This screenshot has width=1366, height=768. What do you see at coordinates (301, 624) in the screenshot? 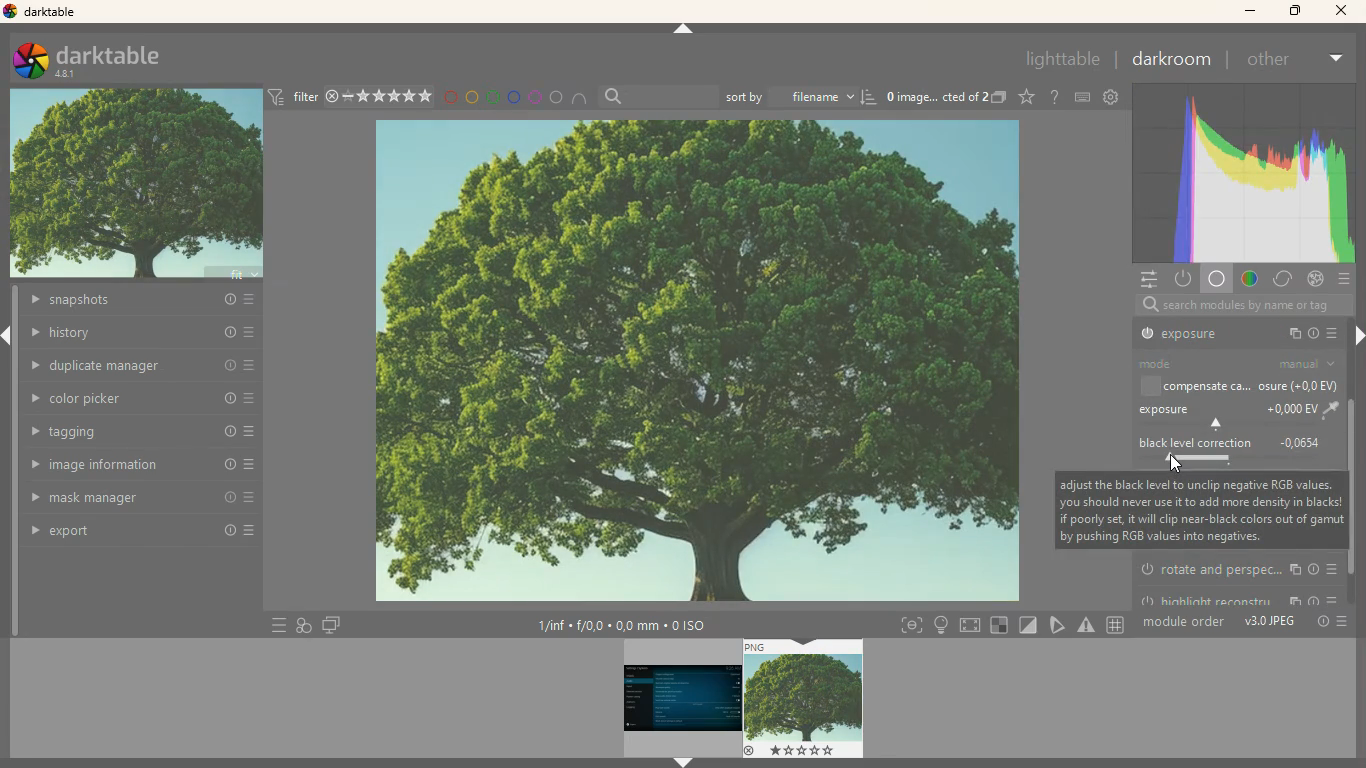
I see `diagram` at bounding box center [301, 624].